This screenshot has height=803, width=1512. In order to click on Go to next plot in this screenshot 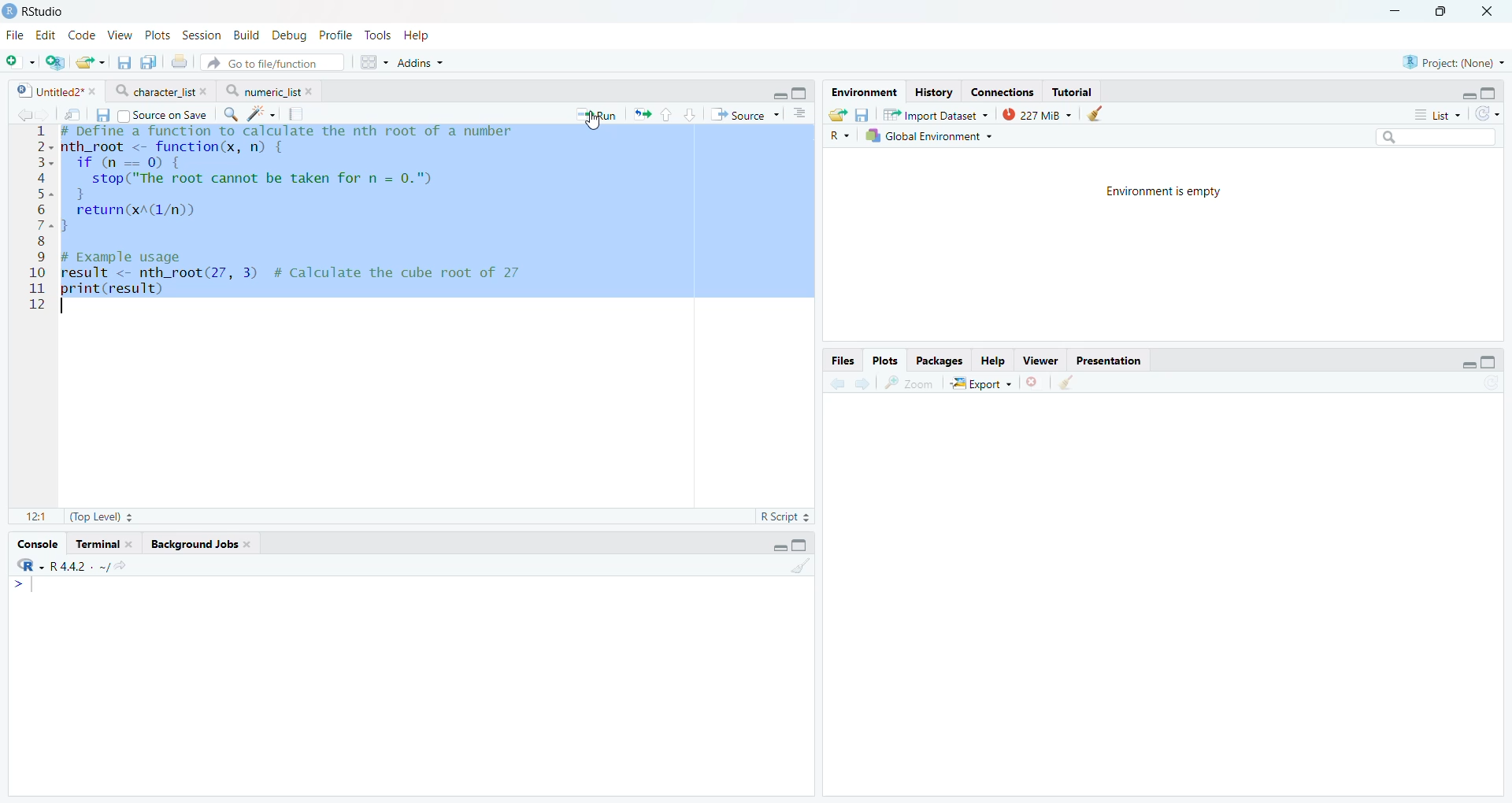, I will do `click(862, 383)`.